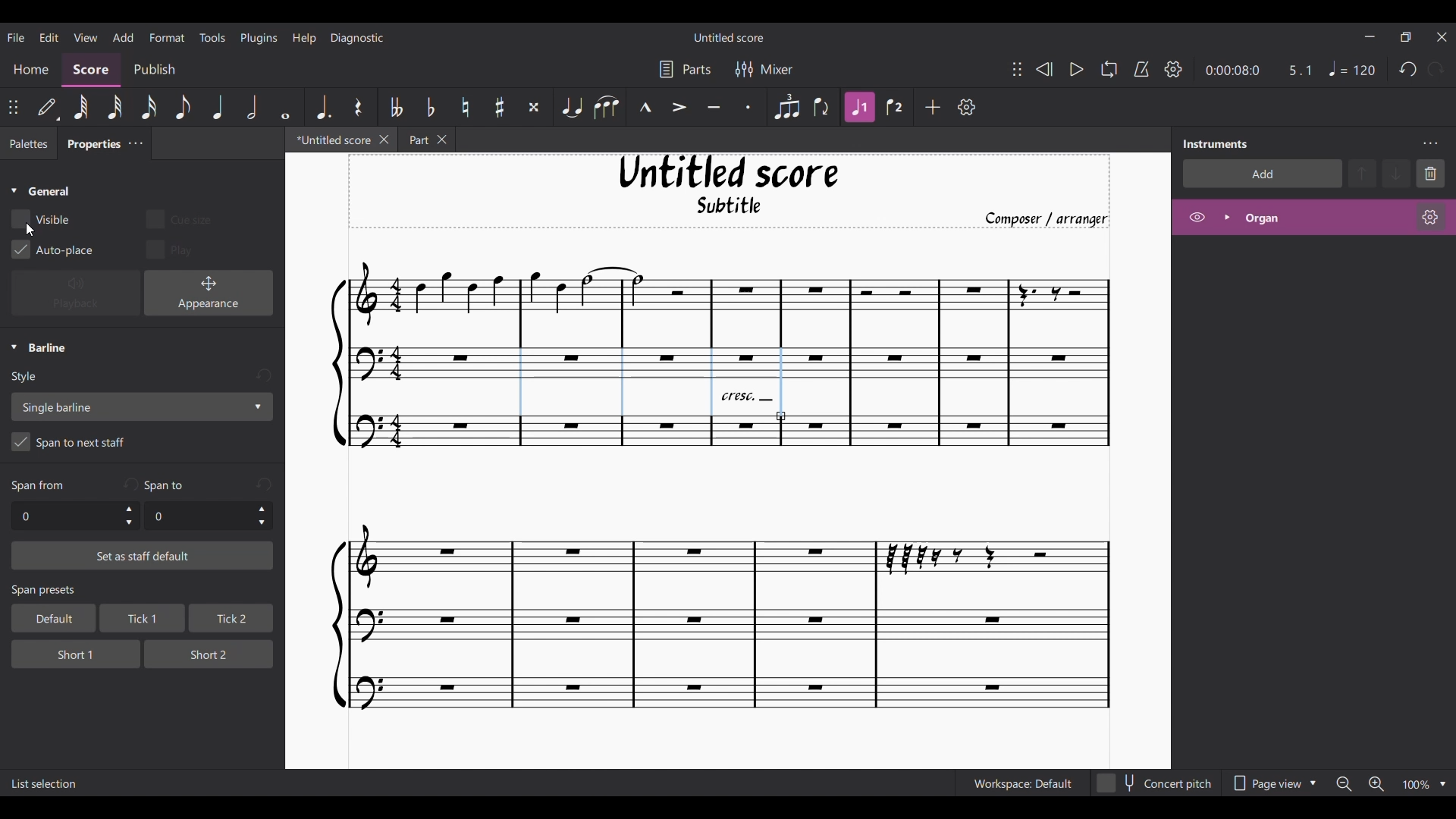 Image resolution: width=1456 pixels, height=819 pixels. What do you see at coordinates (39, 348) in the screenshot?
I see `Collapse Barline` at bounding box center [39, 348].